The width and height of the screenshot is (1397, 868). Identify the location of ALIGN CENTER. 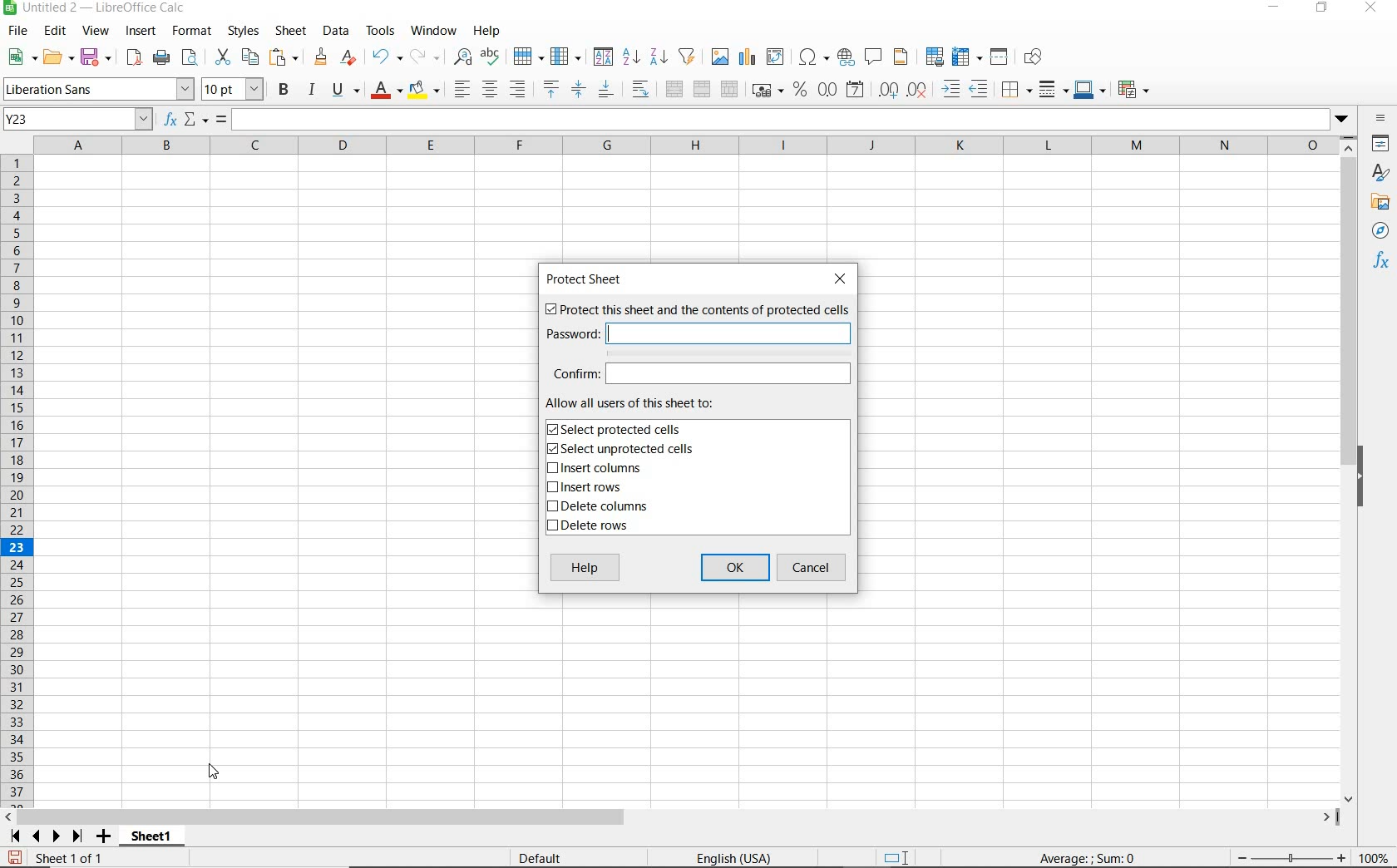
(490, 91).